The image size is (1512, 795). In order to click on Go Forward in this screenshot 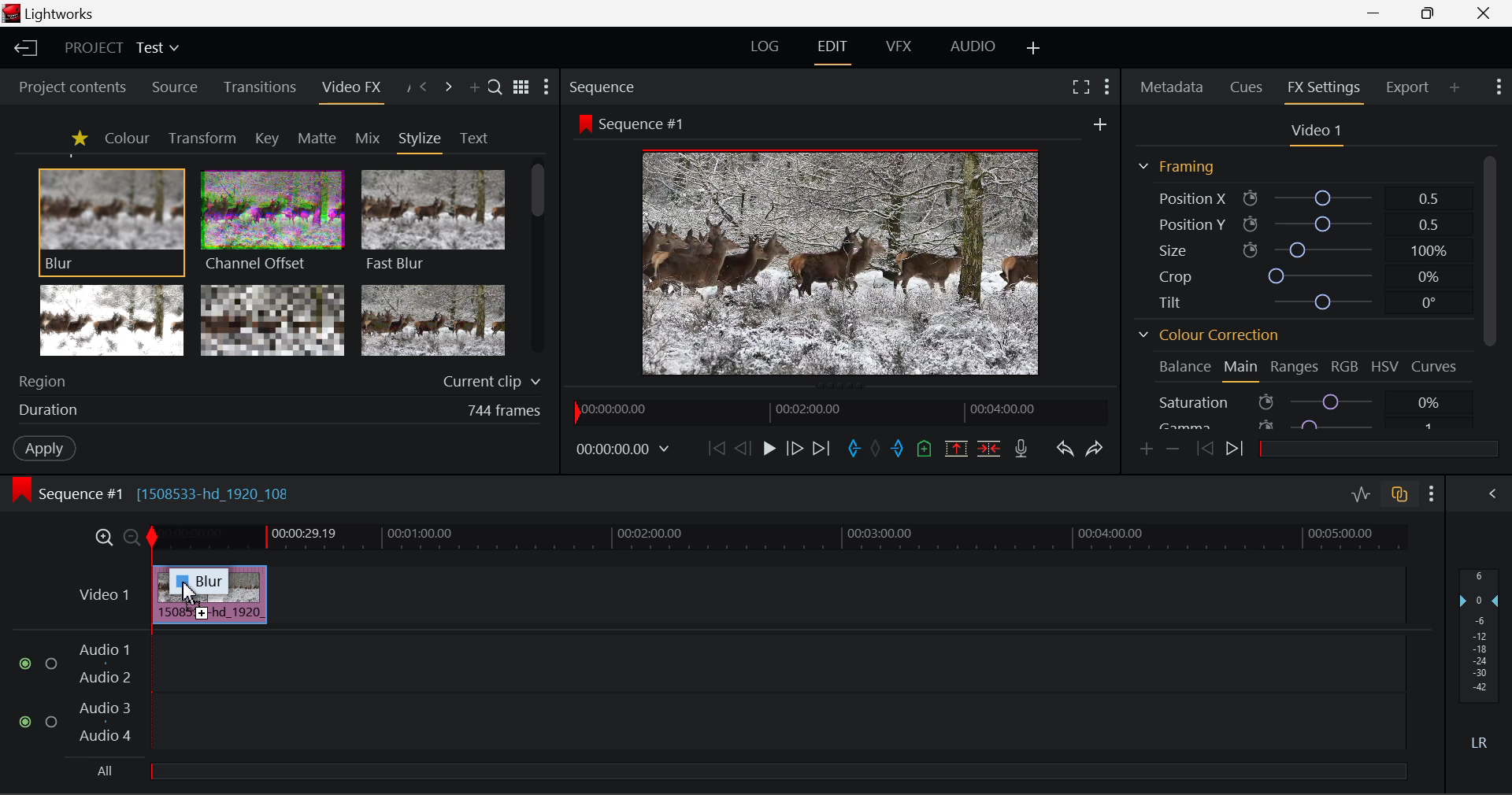, I will do `click(795, 449)`.